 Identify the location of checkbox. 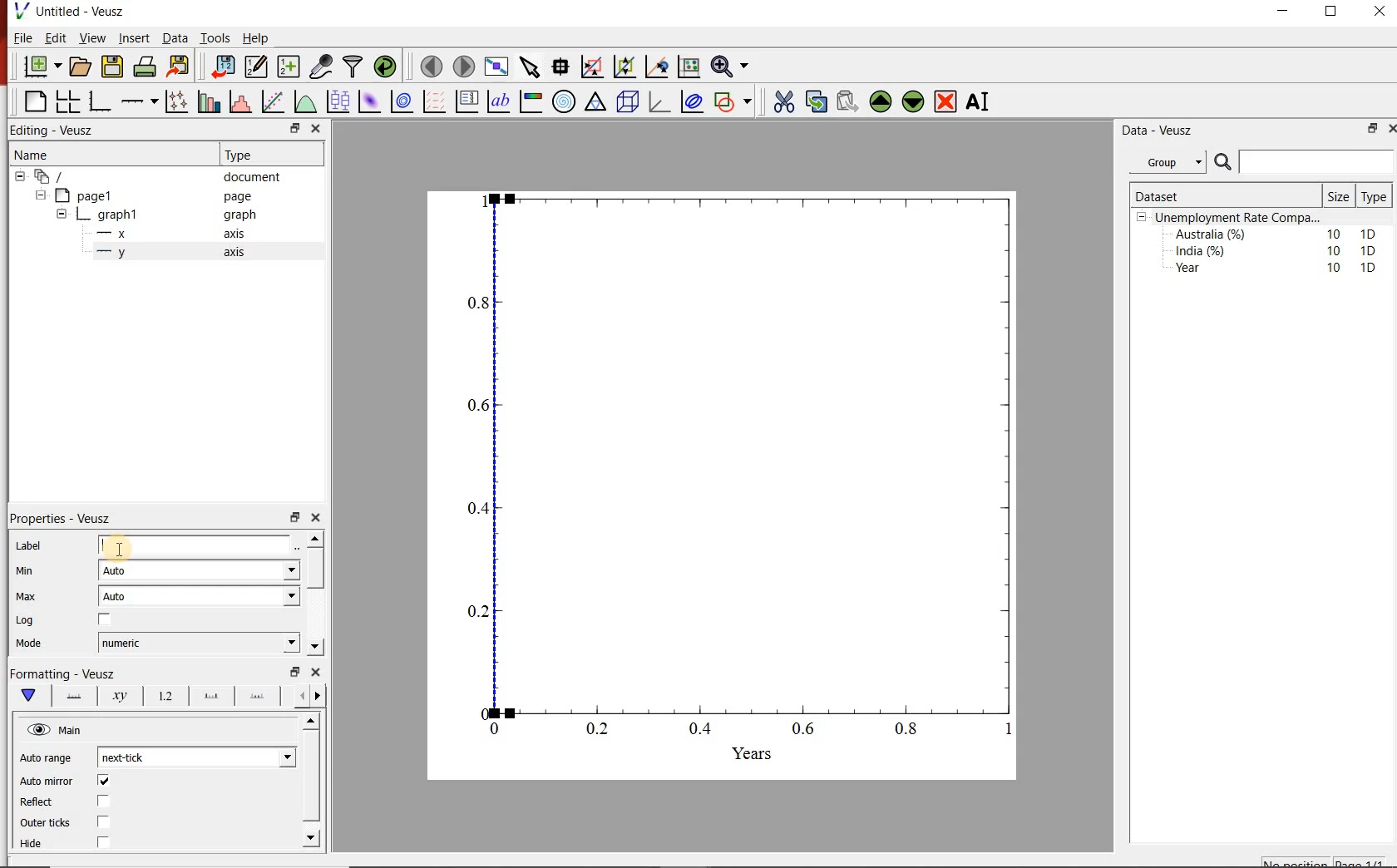
(105, 823).